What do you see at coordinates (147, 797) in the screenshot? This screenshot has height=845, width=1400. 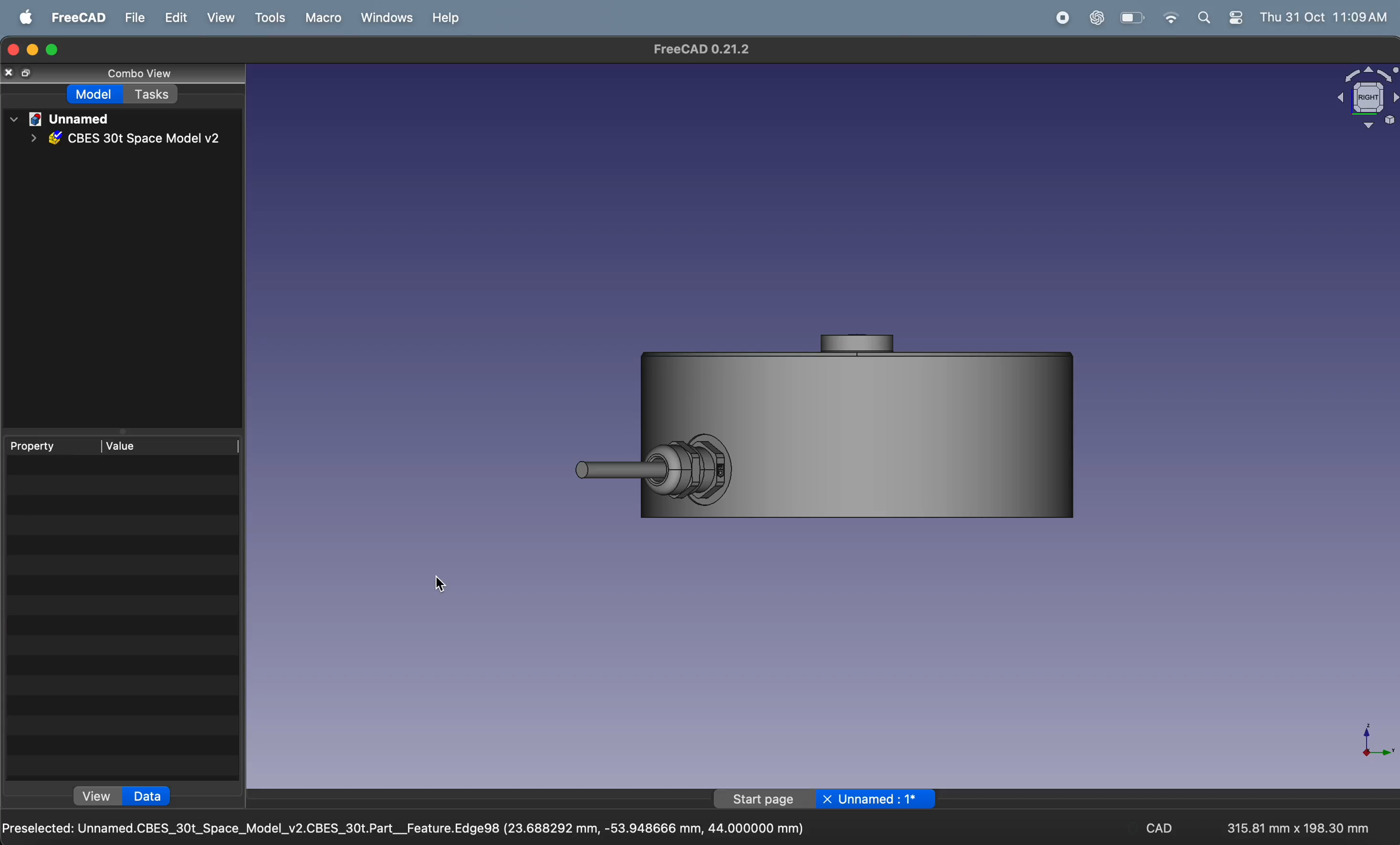 I see `data` at bounding box center [147, 797].